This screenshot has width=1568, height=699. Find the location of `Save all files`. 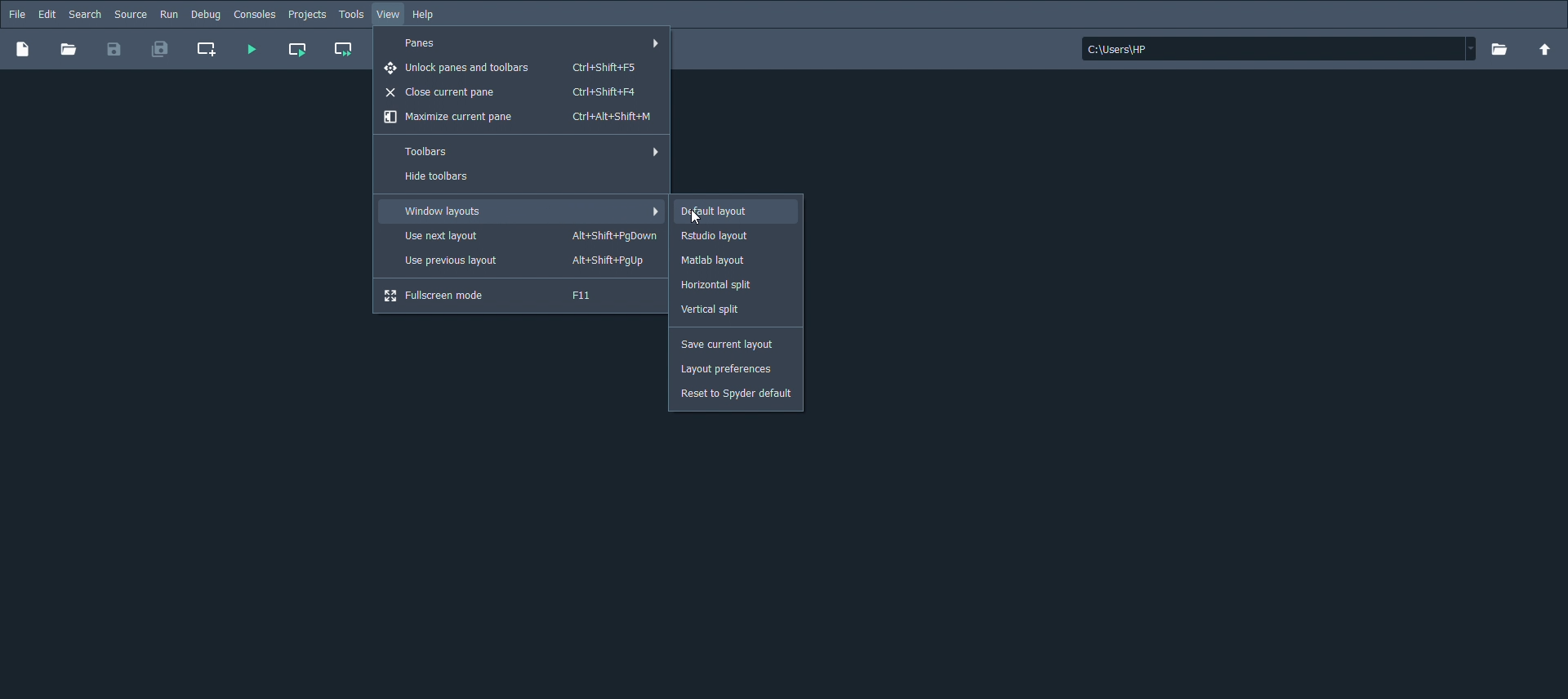

Save all files is located at coordinates (159, 49).